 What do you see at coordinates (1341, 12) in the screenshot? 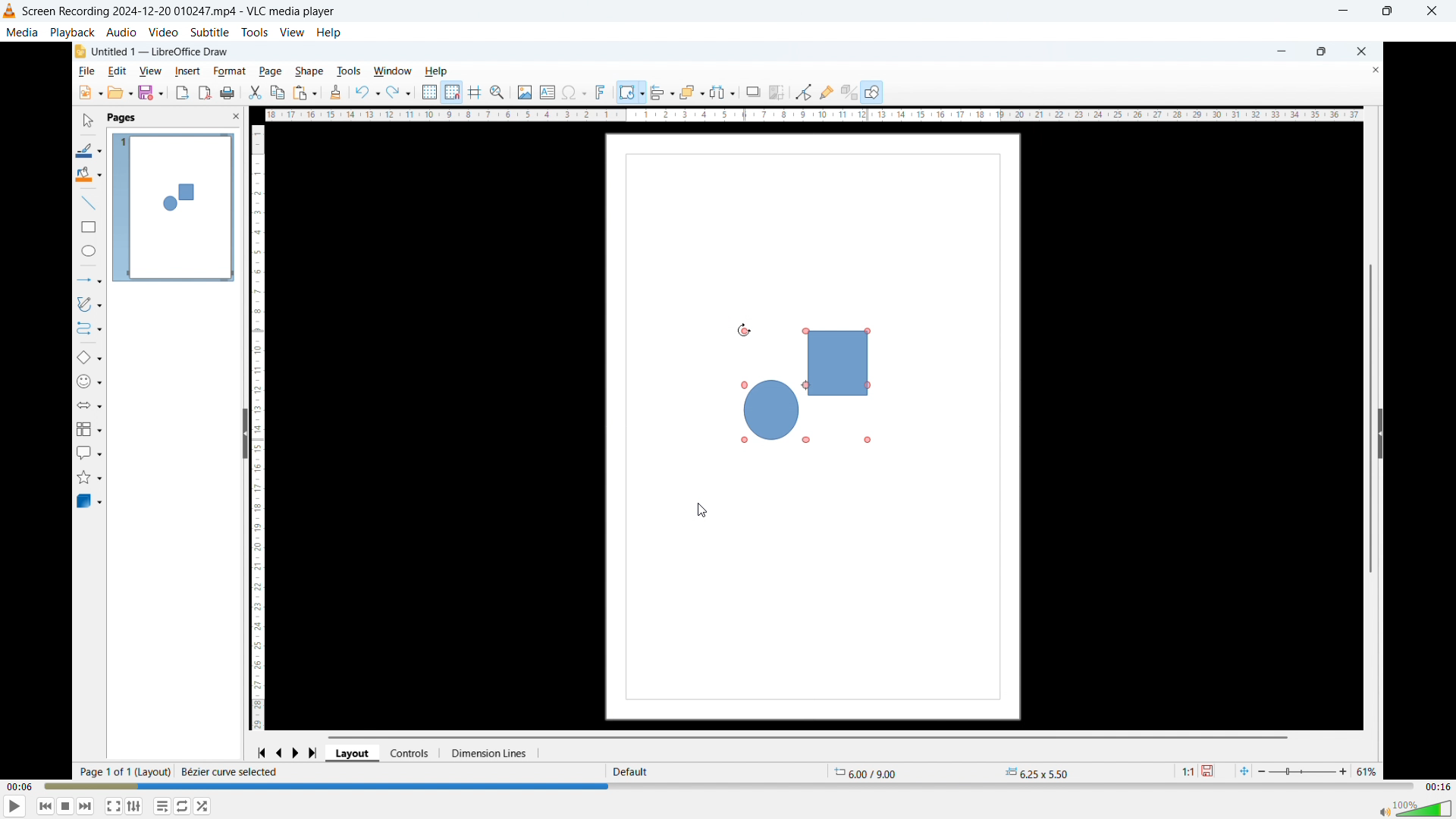
I see `minimise ` at bounding box center [1341, 12].